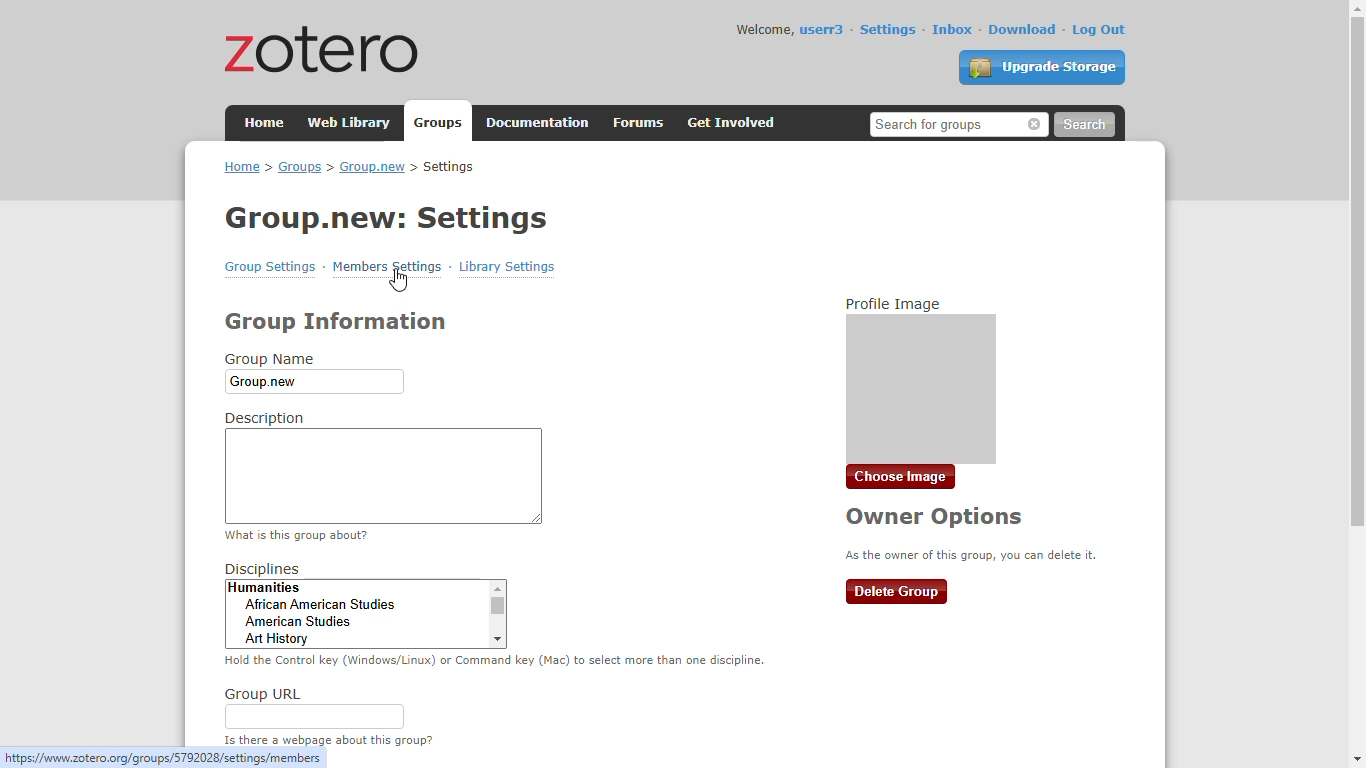 The image size is (1366, 768). Describe the element at coordinates (888, 29) in the screenshot. I see `settings` at that location.